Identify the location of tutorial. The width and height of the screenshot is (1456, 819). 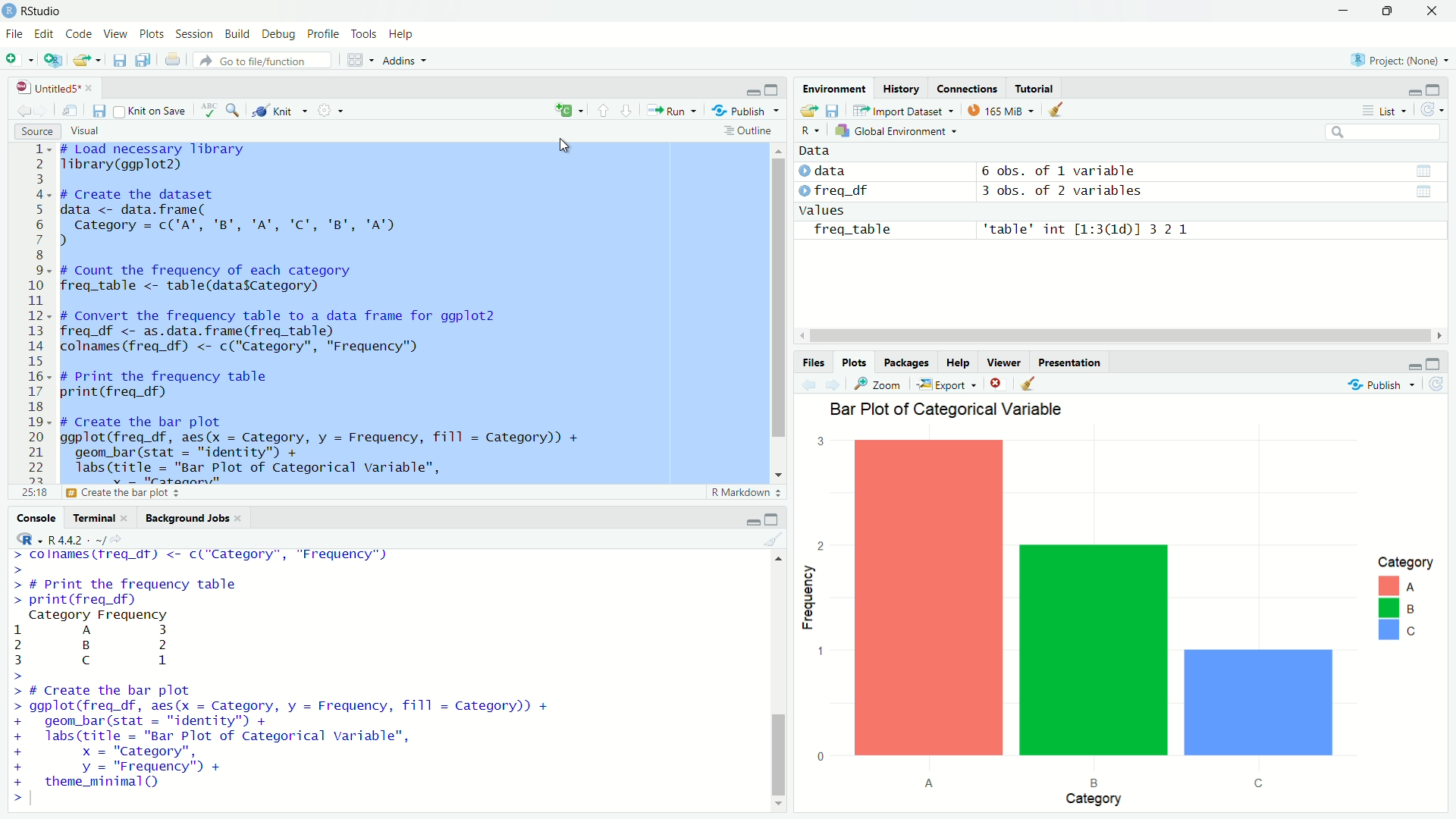
(1035, 88).